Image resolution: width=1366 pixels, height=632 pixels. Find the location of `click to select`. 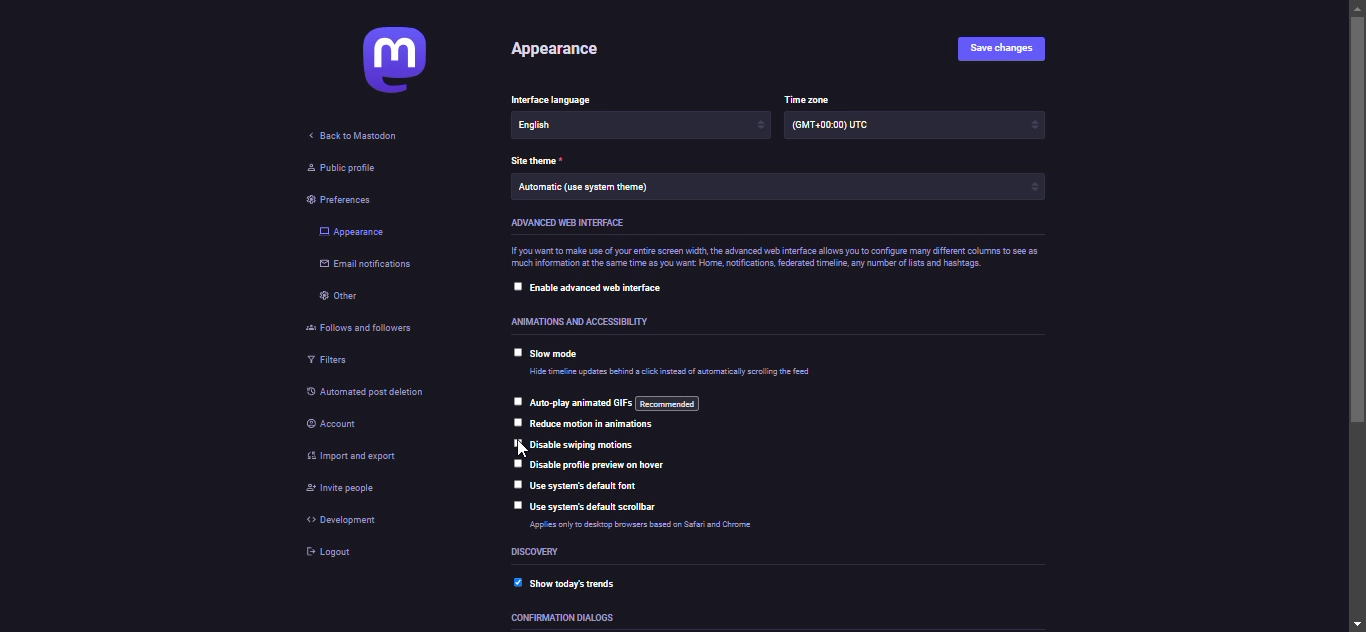

click to select is located at coordinates (518, 349).